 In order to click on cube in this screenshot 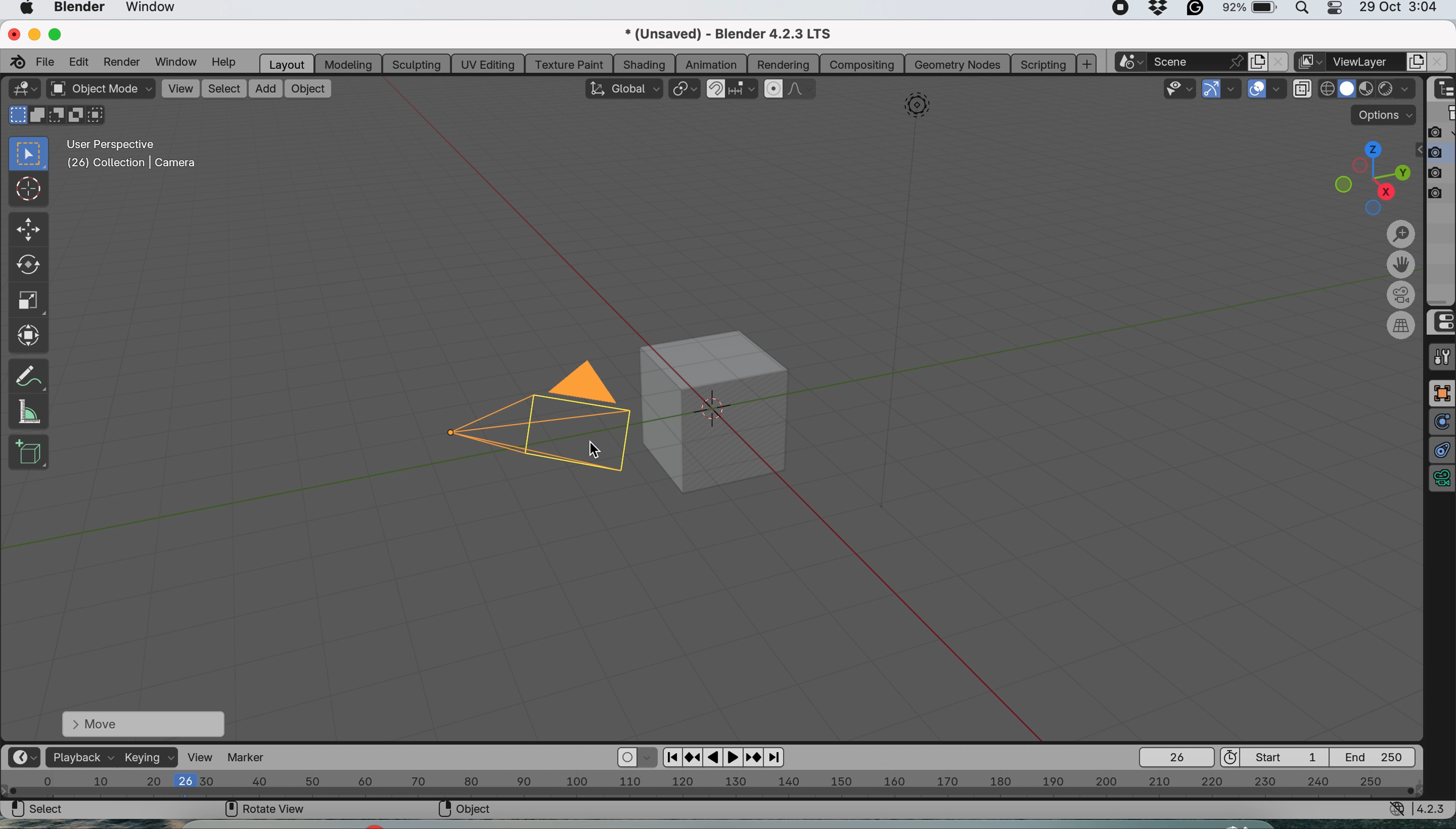, I will do `click(726, 409)`.